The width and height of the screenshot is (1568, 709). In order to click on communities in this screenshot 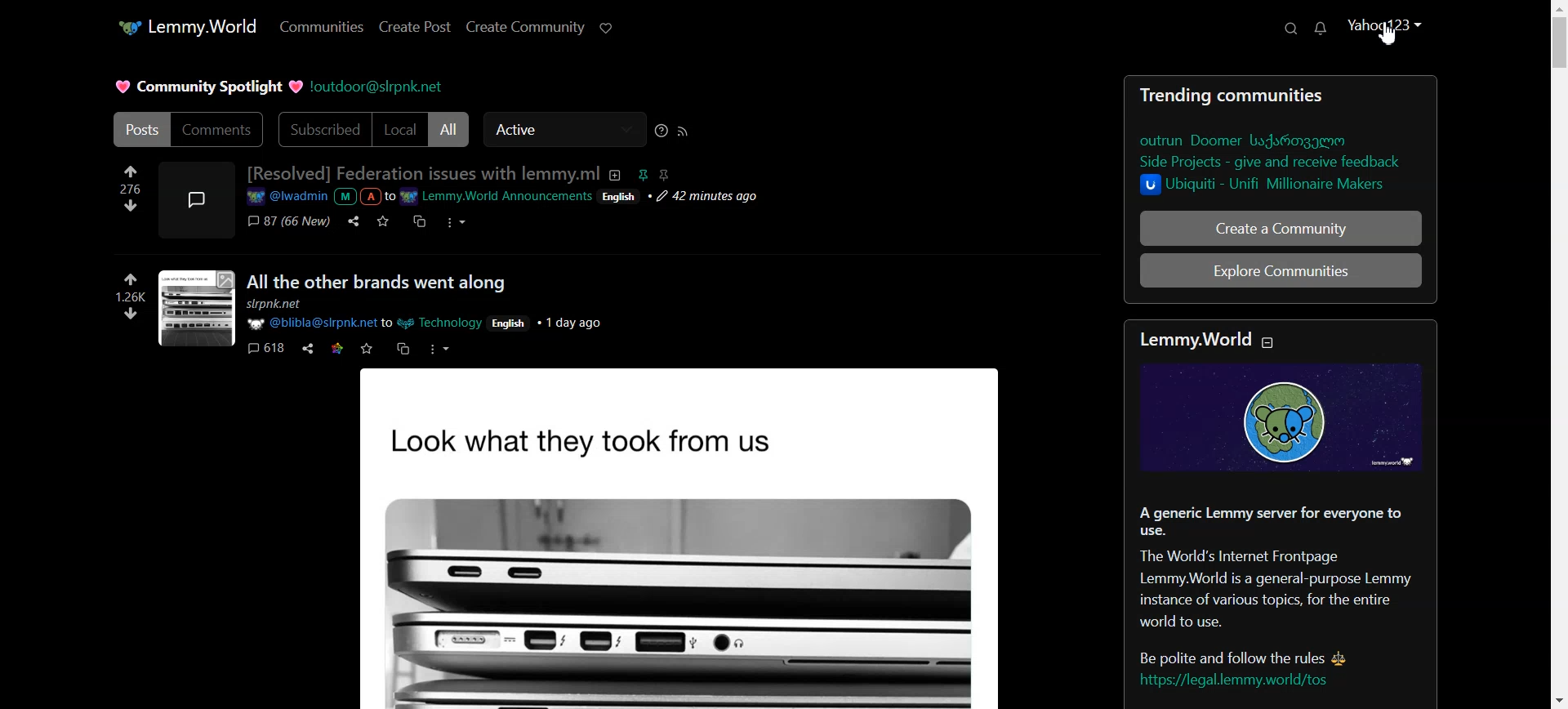, I will do `click(1276, 96)`.